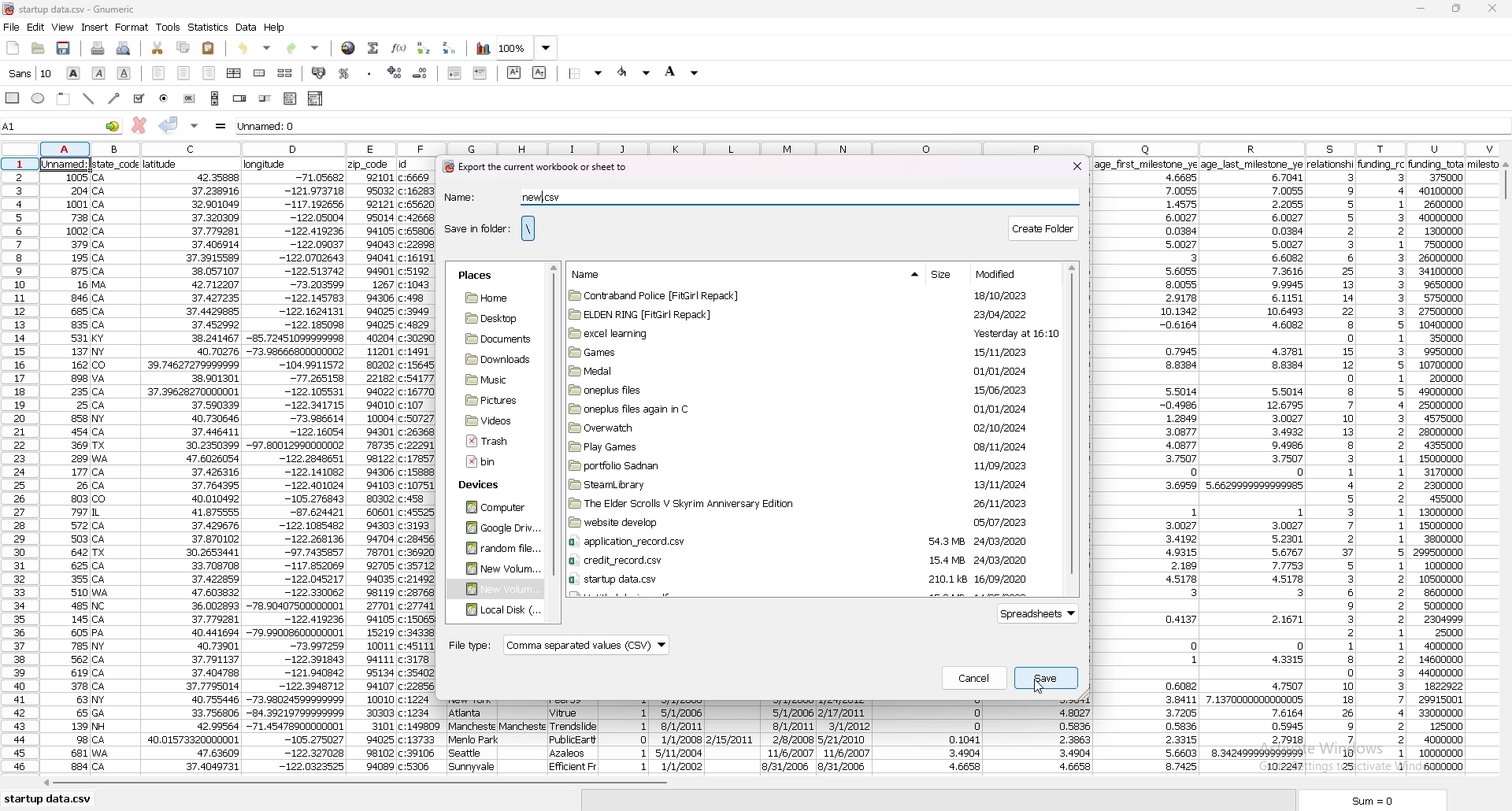 This screenshot has width=1512, height=811. I want to click on save, so click(1047, 678).